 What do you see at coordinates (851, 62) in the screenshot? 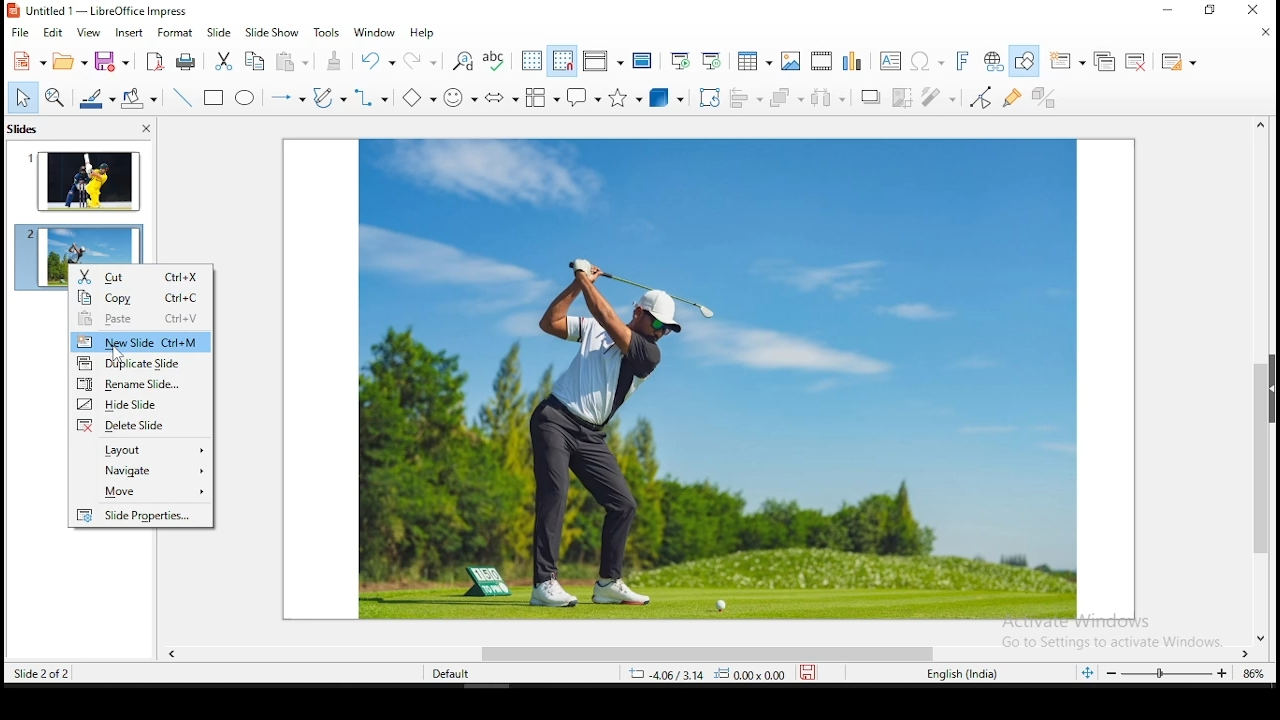
I see `insert chart` at bounding box center [851, 62].